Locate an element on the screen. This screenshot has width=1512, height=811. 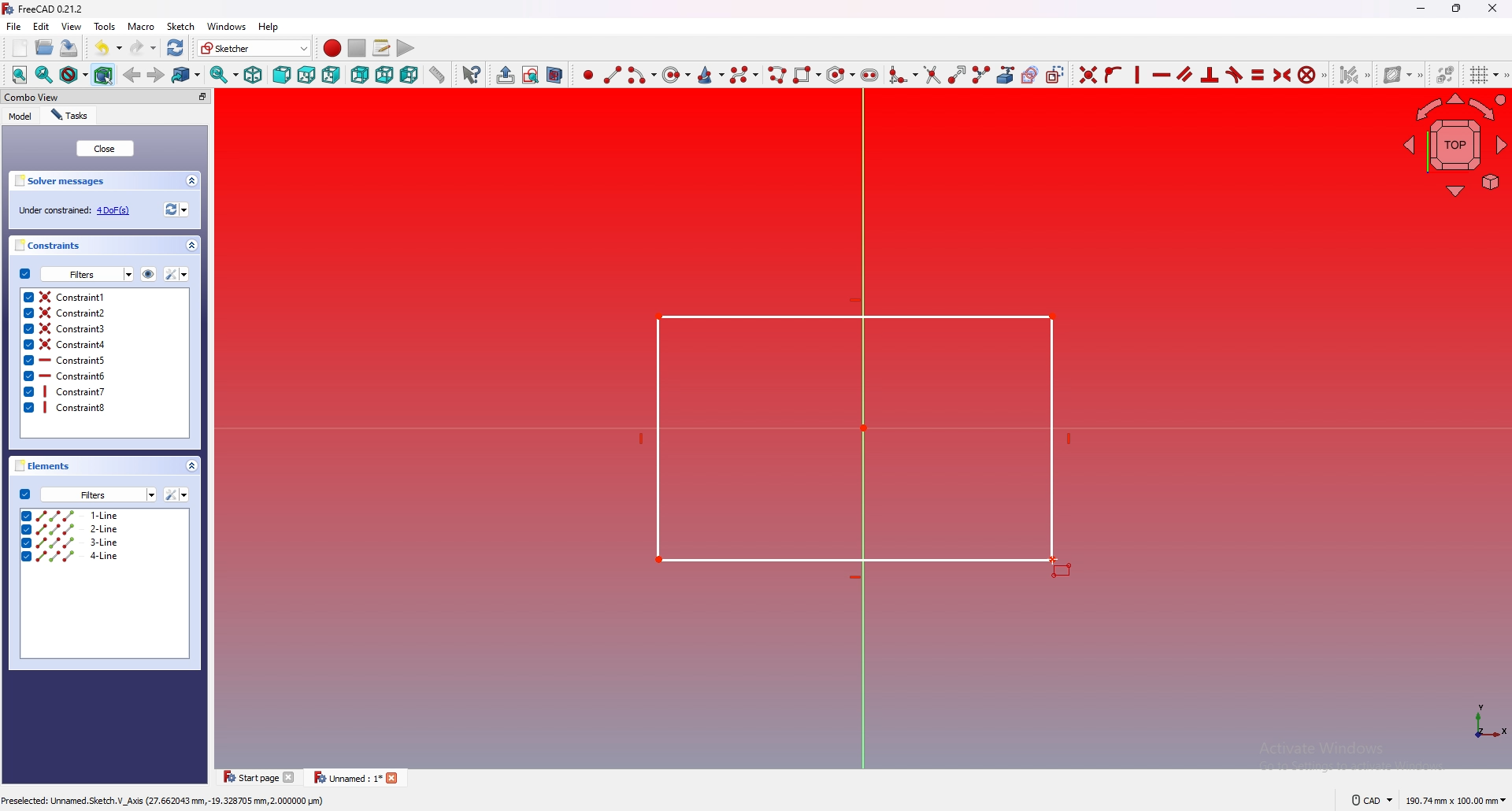
collapse is located at coordinates (191, 181).